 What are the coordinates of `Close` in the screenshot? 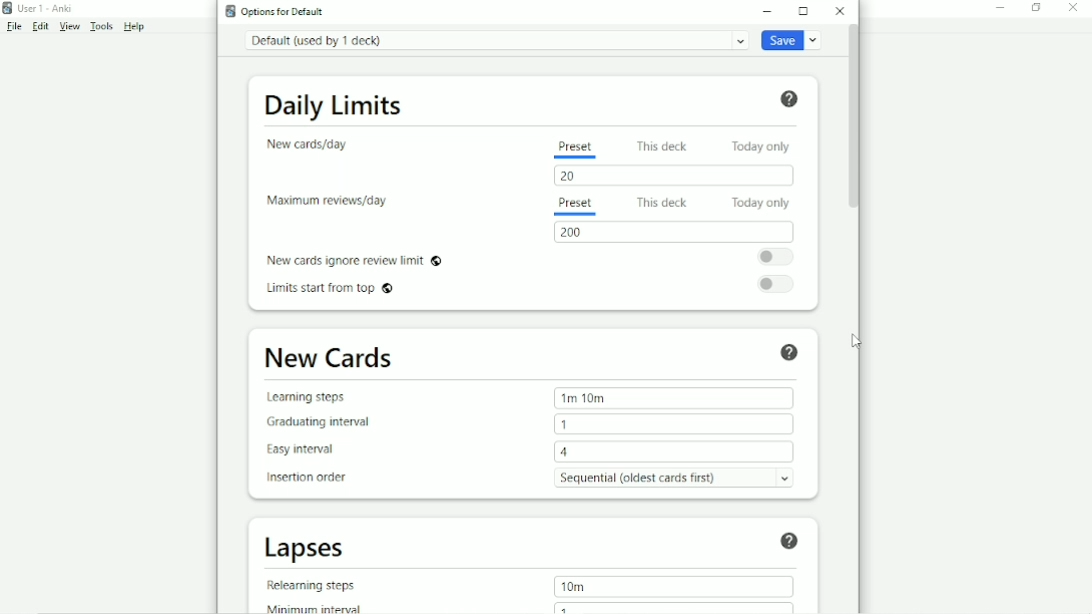 It's located at (1072, 9).